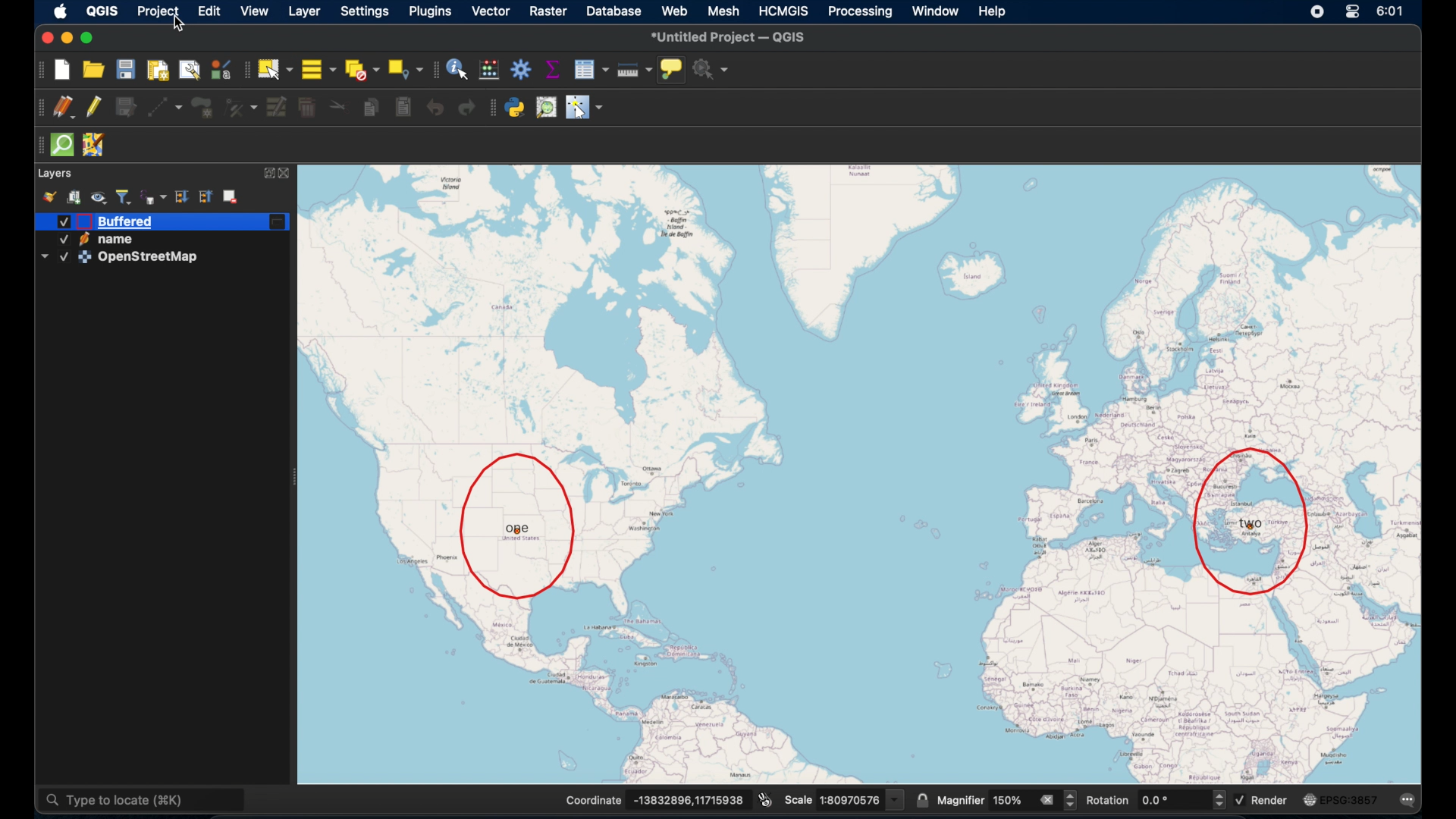  I want to click on control center, so click(1353, 11).